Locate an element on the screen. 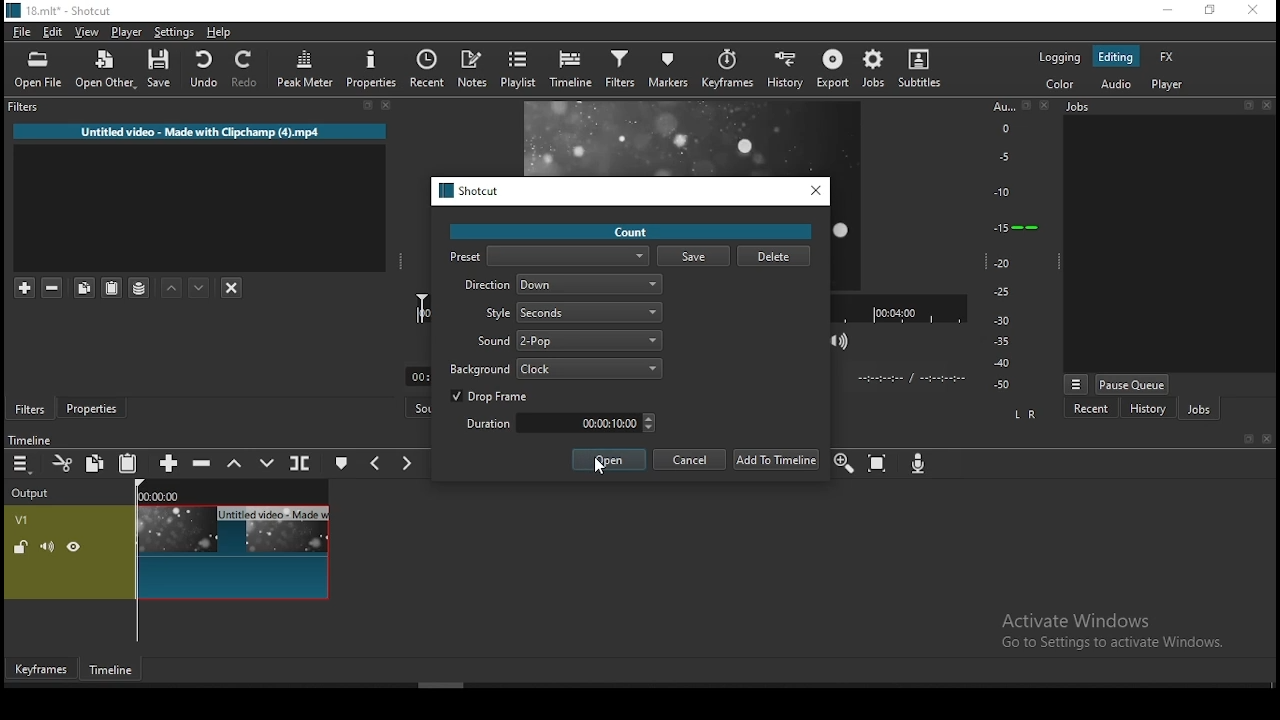  markers is located at coordinates (667, 68).